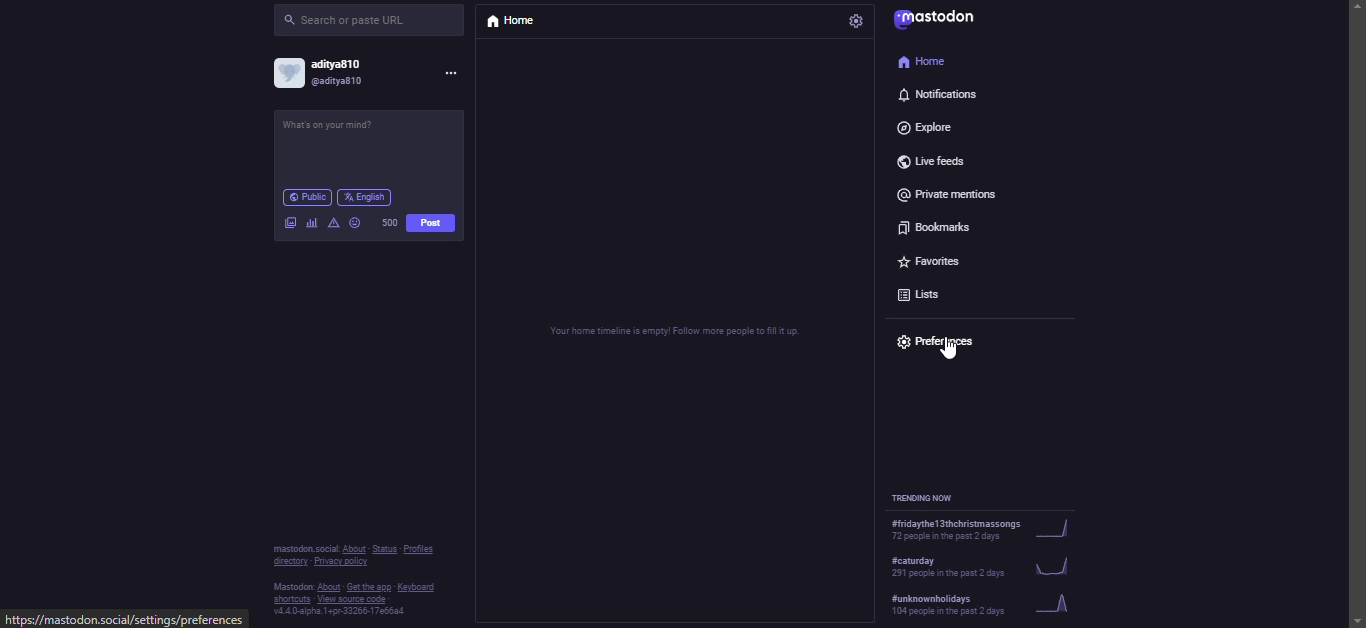  I want to click on english, so click(363, 197).